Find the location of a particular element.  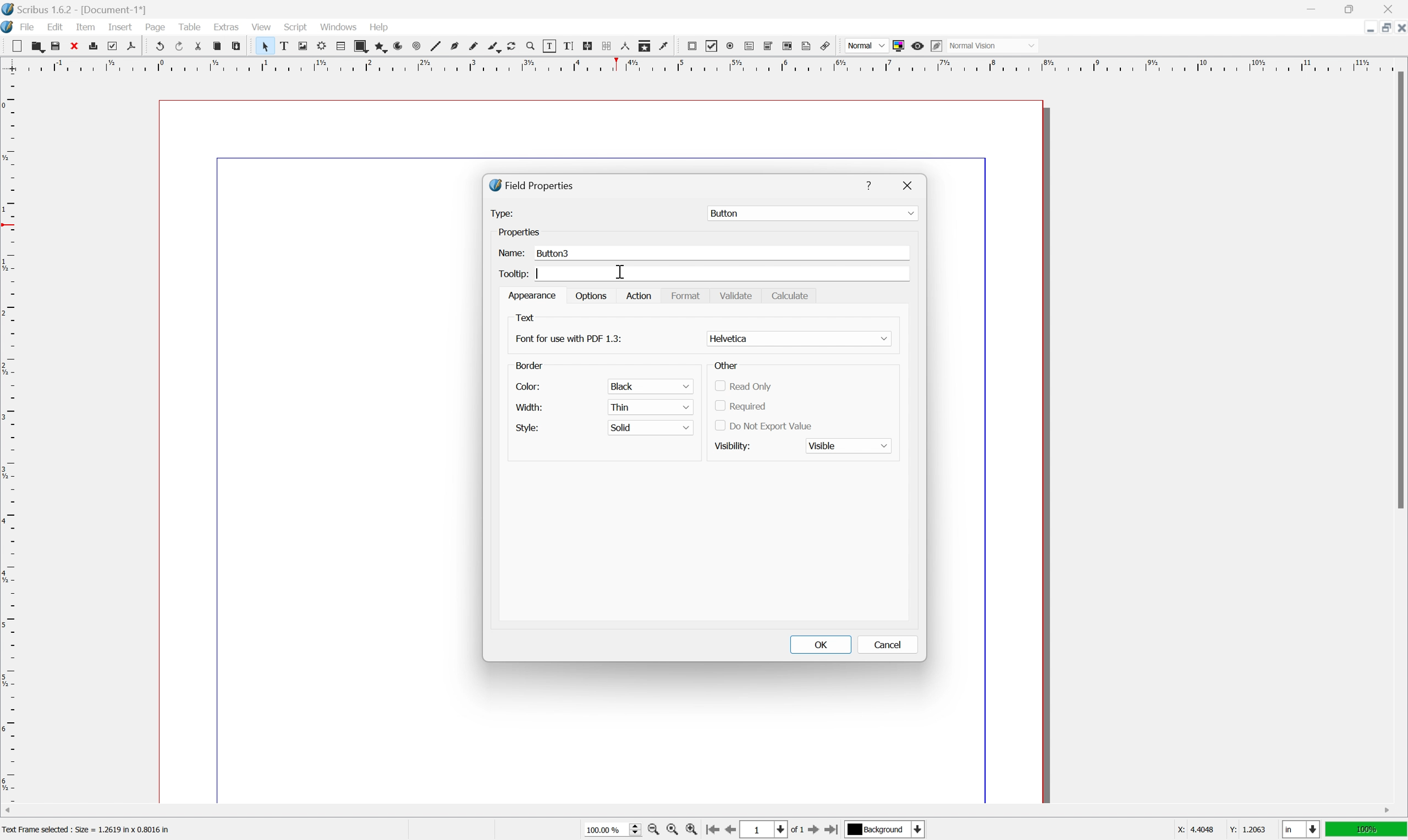

zoom in or zoom out is located at coordinates (532, 46).